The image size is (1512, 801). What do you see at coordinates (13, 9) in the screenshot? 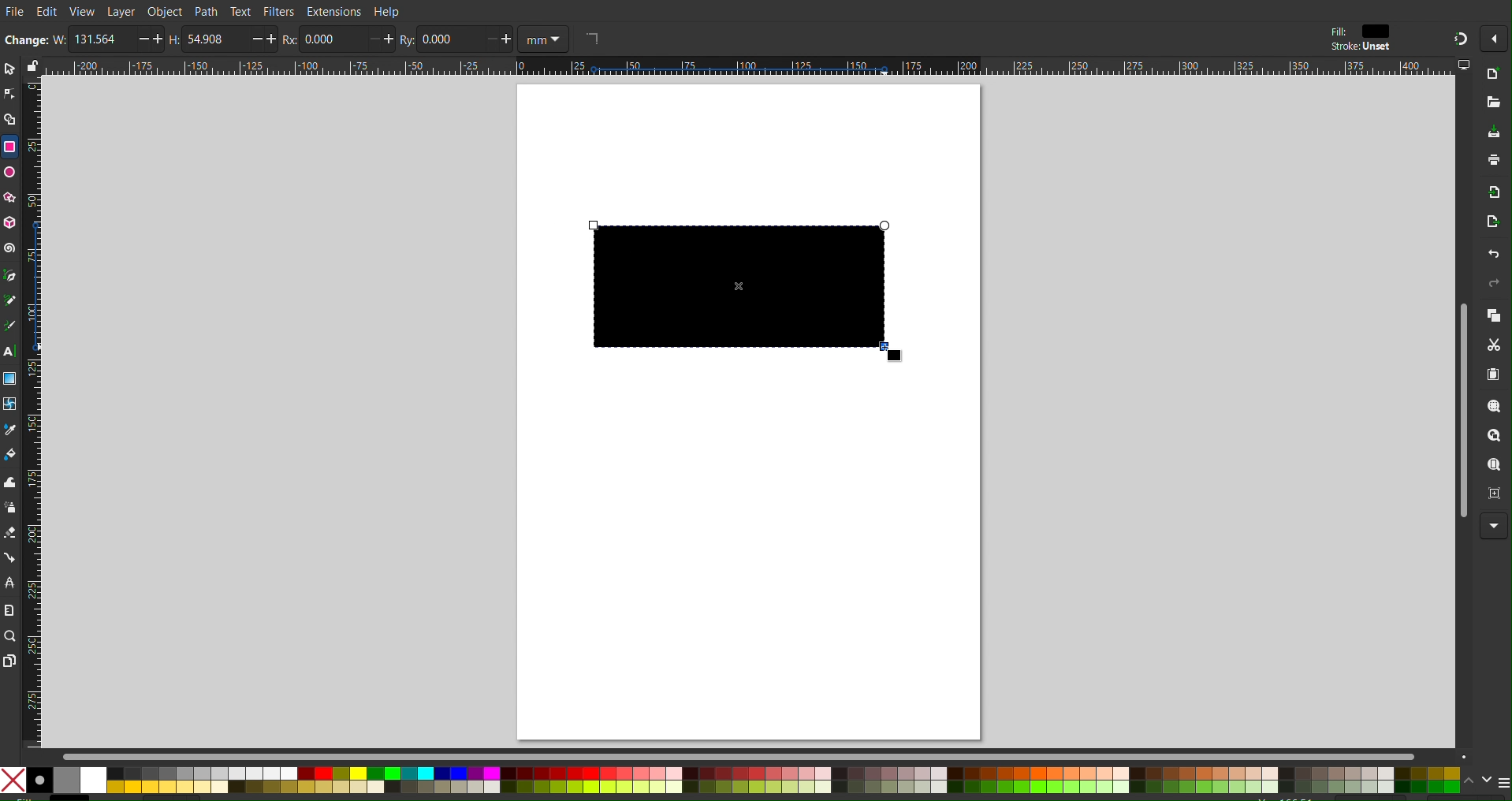
I see `File` at bounding box center [13, 9].